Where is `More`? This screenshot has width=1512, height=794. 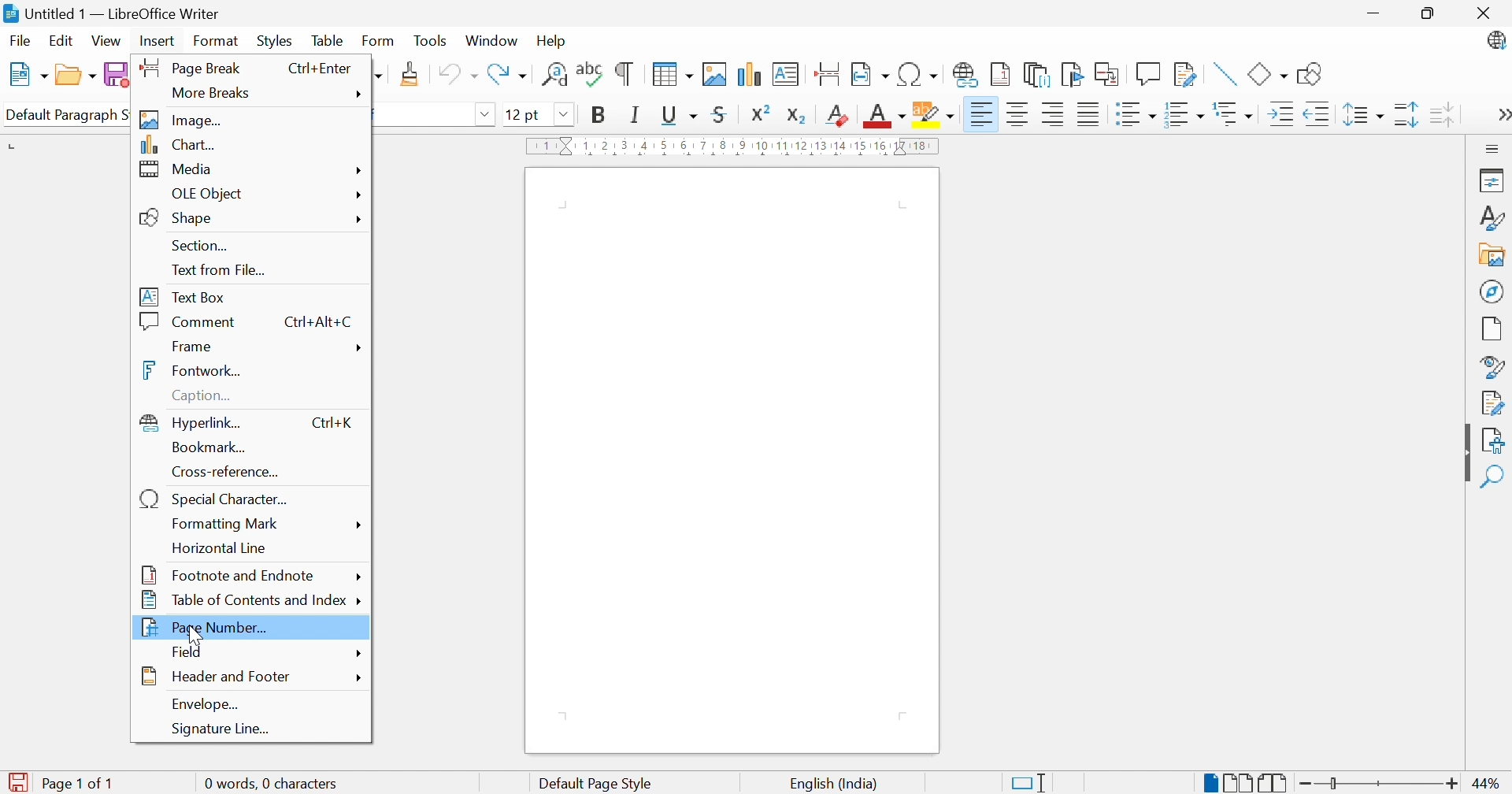 More is located at coordinates (358, 195).